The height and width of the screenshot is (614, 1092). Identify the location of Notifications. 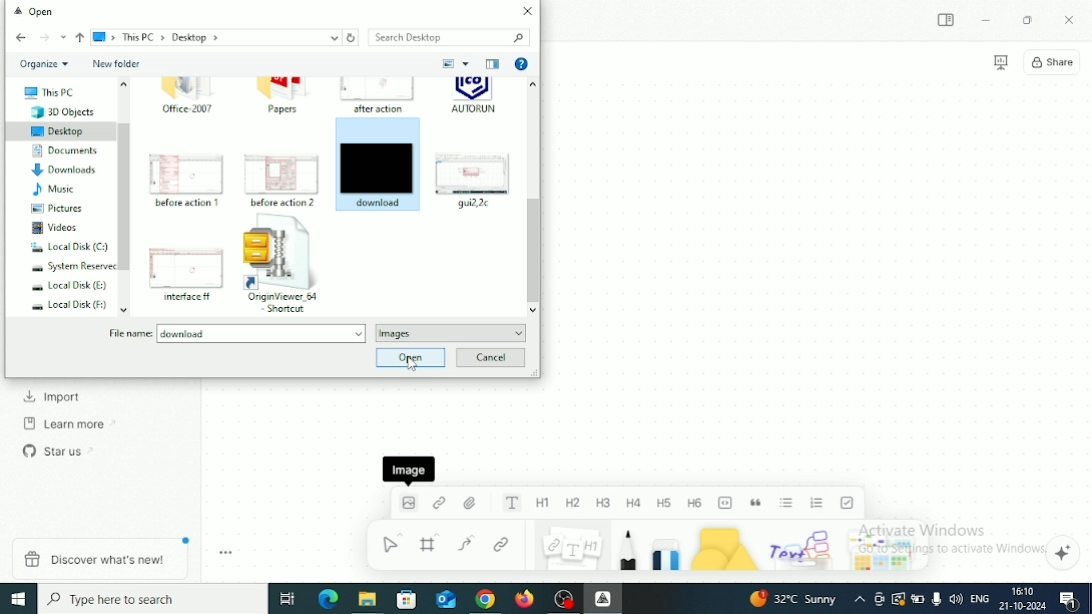
(1071, 600).